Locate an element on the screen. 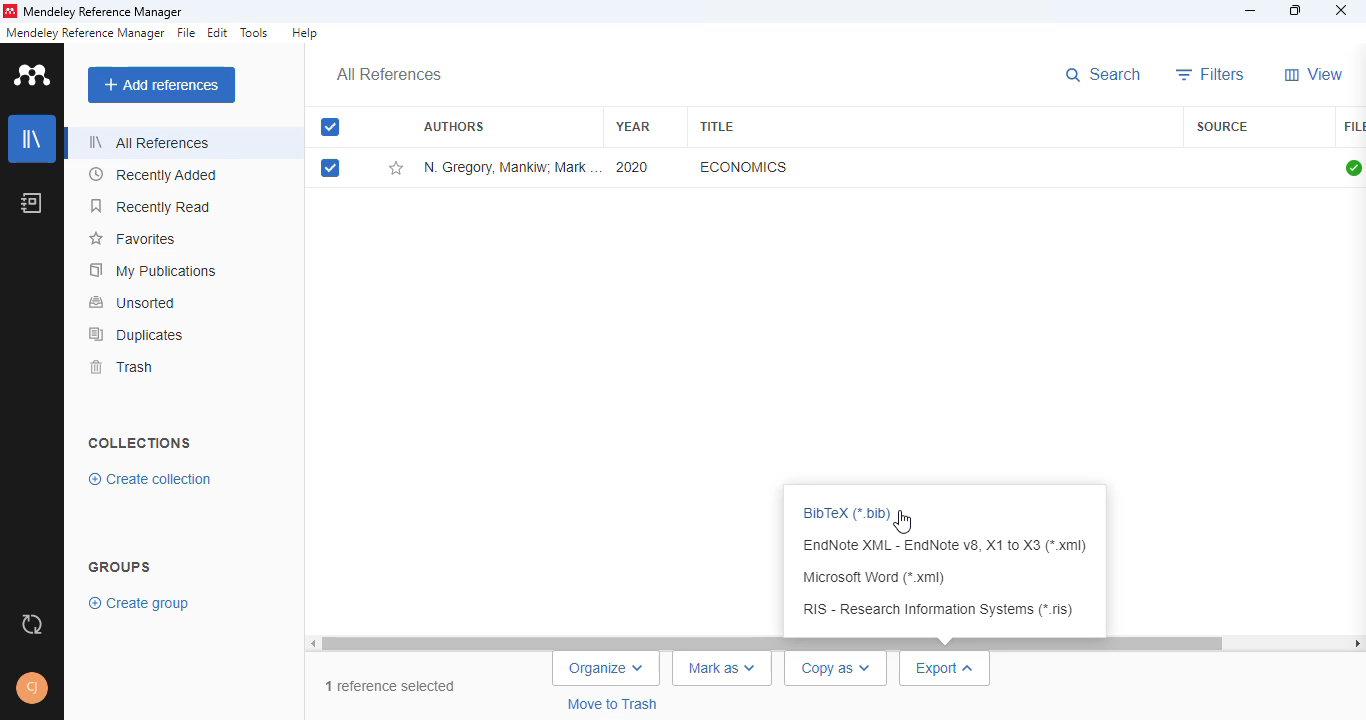 This screenshot has height=720, width=1366. create group is located at coordinates (140, 604).